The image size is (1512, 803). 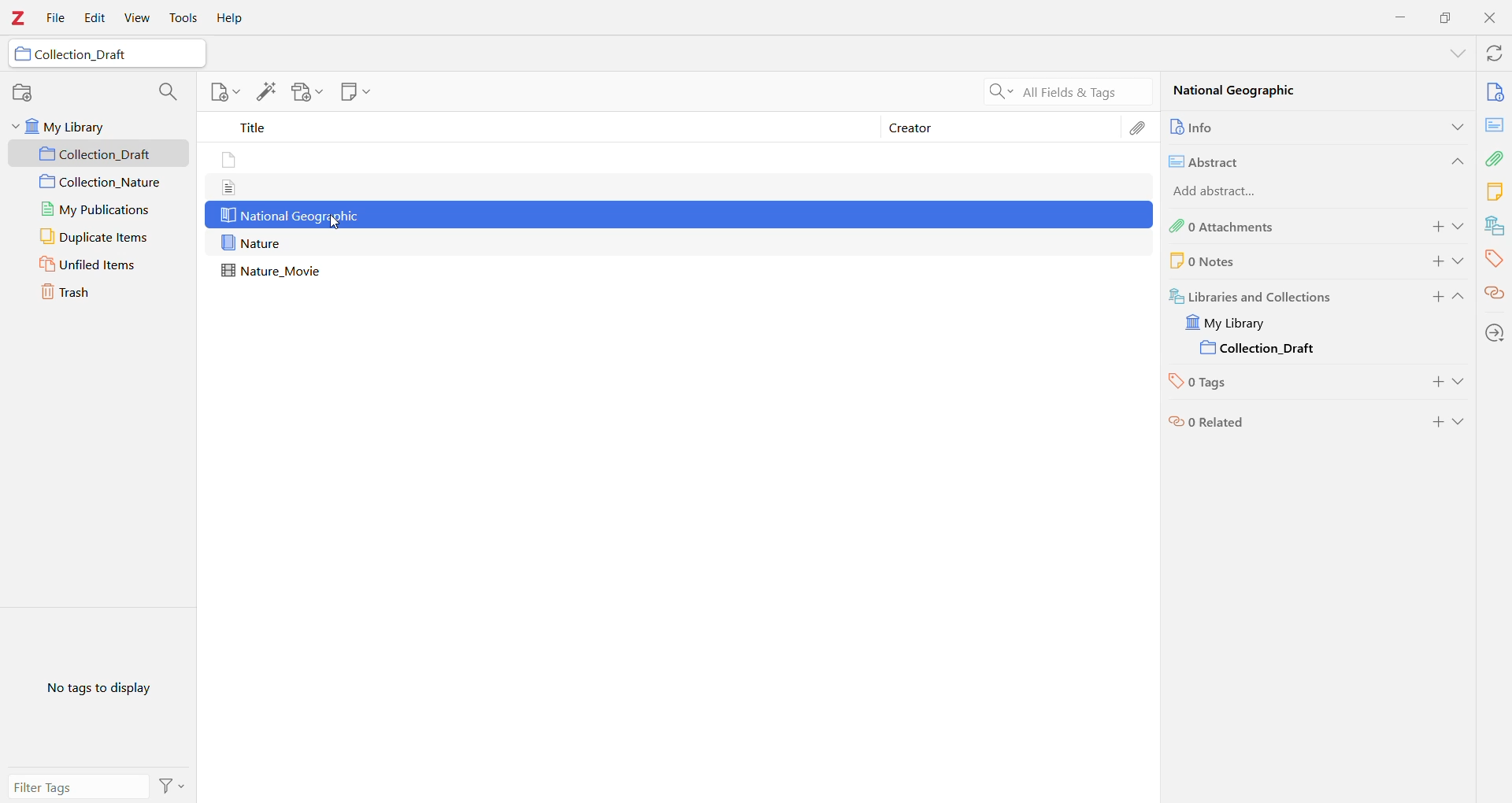 I want to click on Collection_Nature, so click(x=99, y=183).